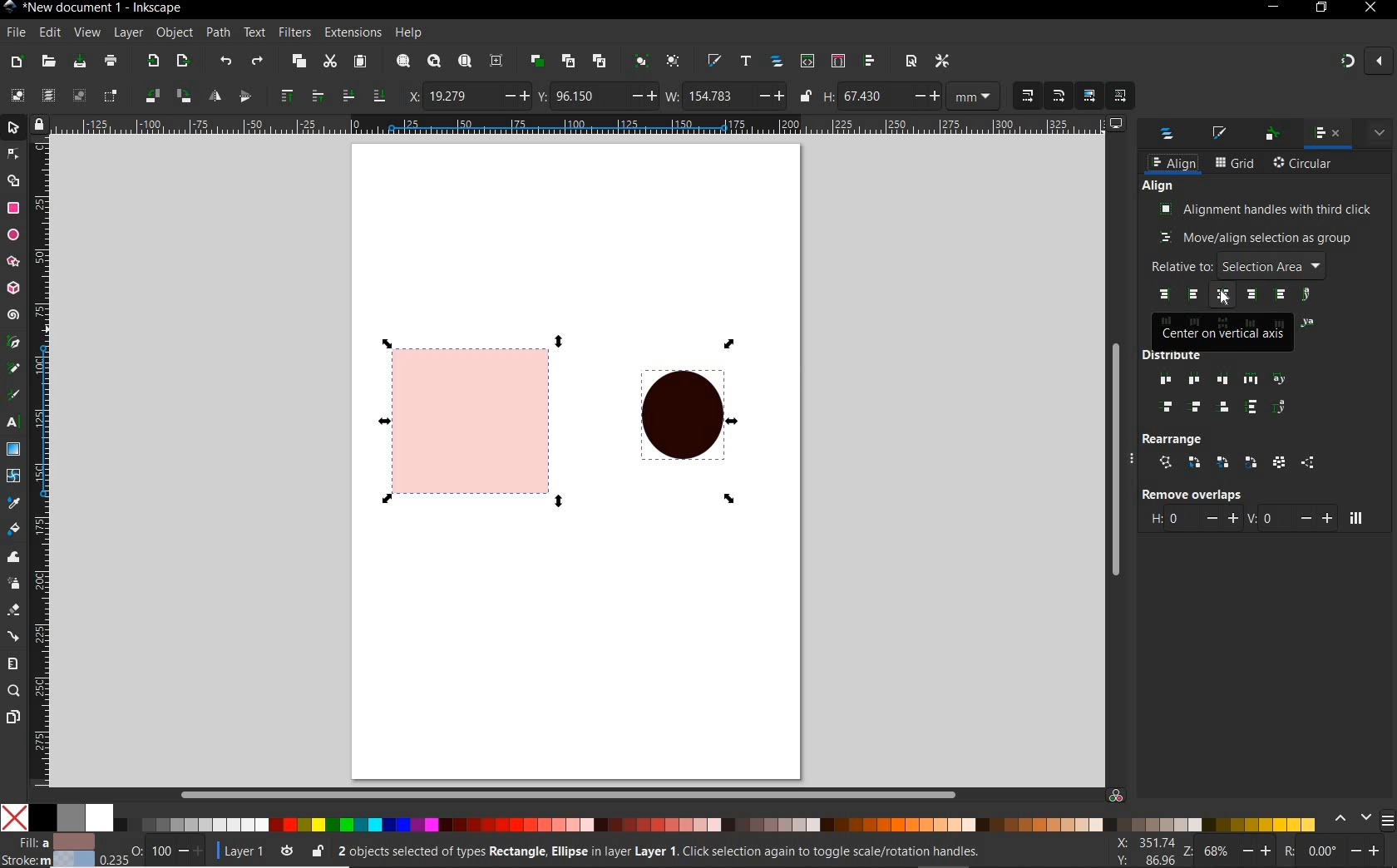  What do you see at coordinates (465, 60) in the screenshot?
I see `zoom page` at bounding box center [465, 60].